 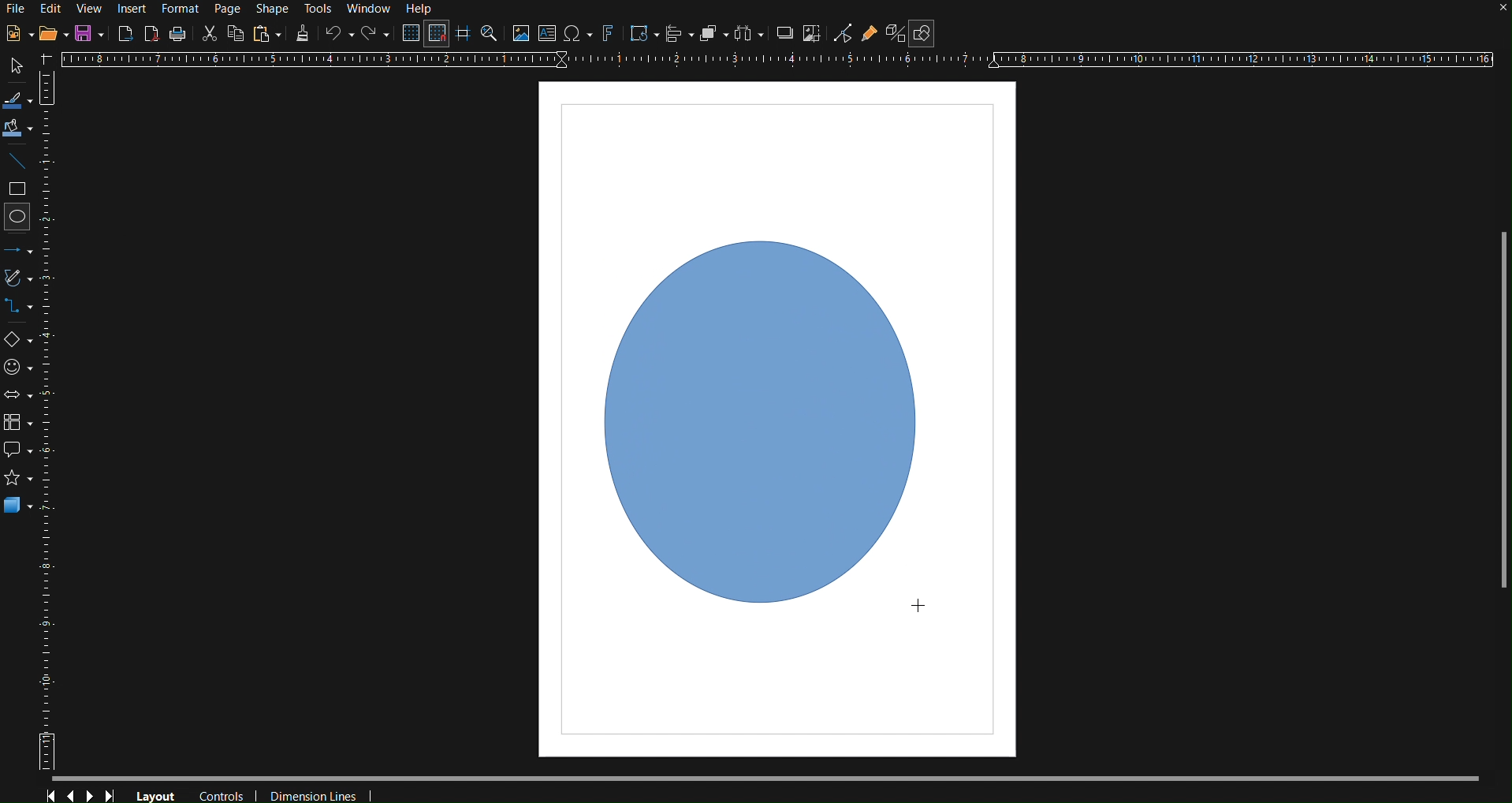 I want to click on Callout shapes, so click(x=17, y=450).